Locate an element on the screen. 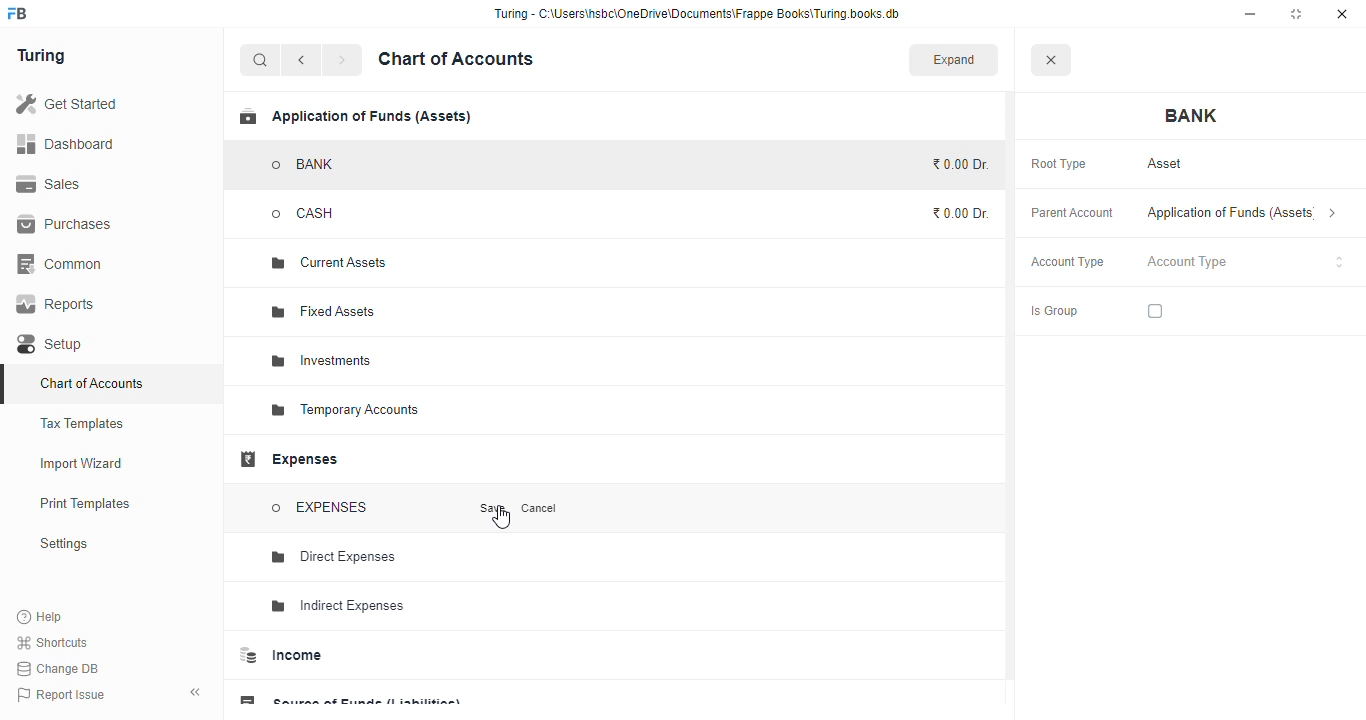 This screenshot has height=720, width=1366. ₹0.00 Dr. is located at coordinates (961, 164).